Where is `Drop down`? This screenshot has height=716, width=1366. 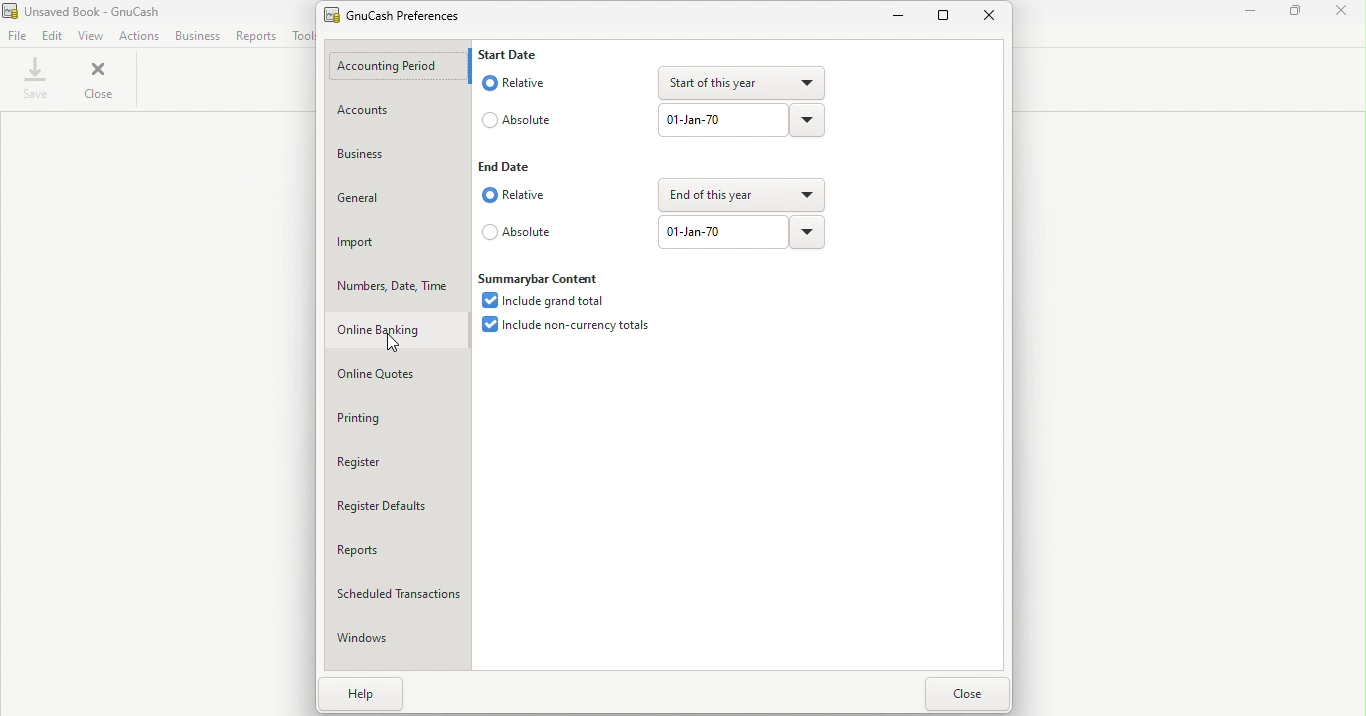
Drop down is located at coordinates (741, 79).